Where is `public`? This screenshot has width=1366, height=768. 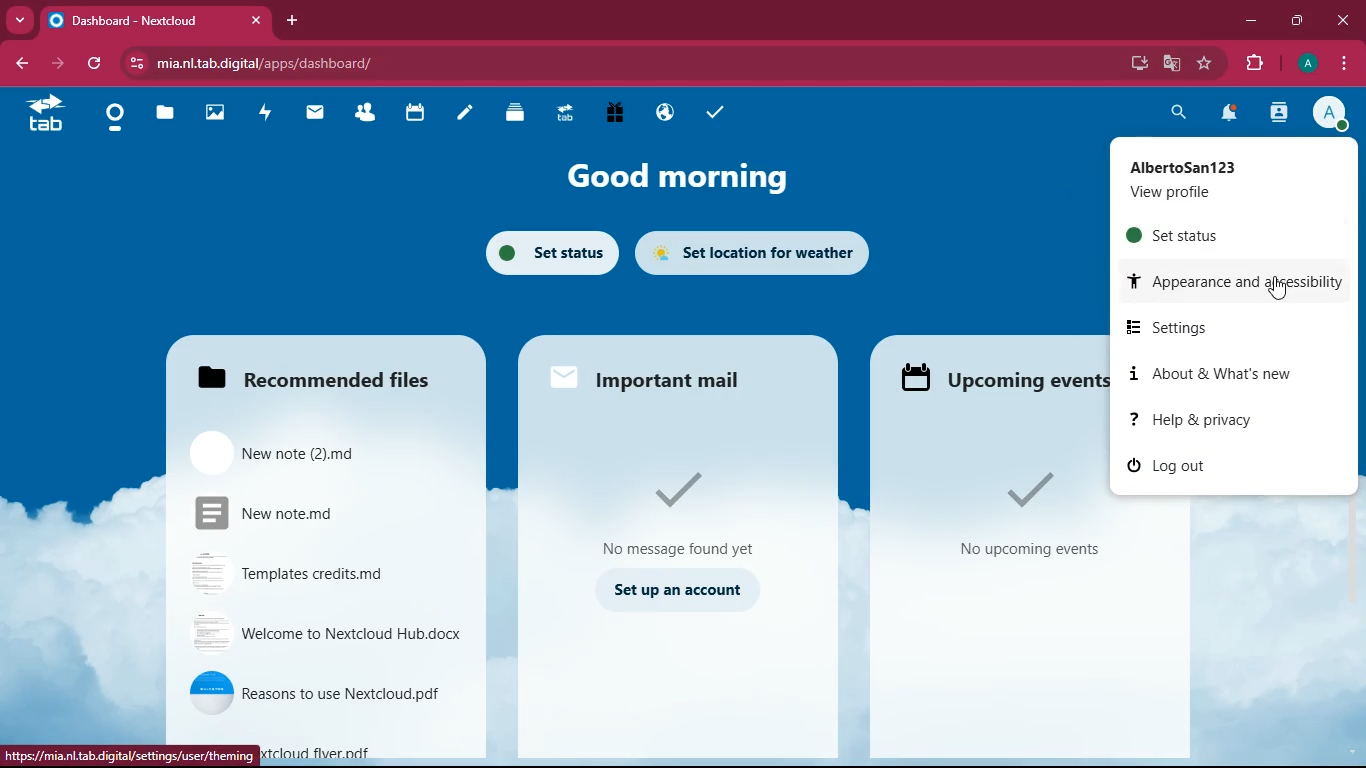
public is located at coordinates (668, 113).